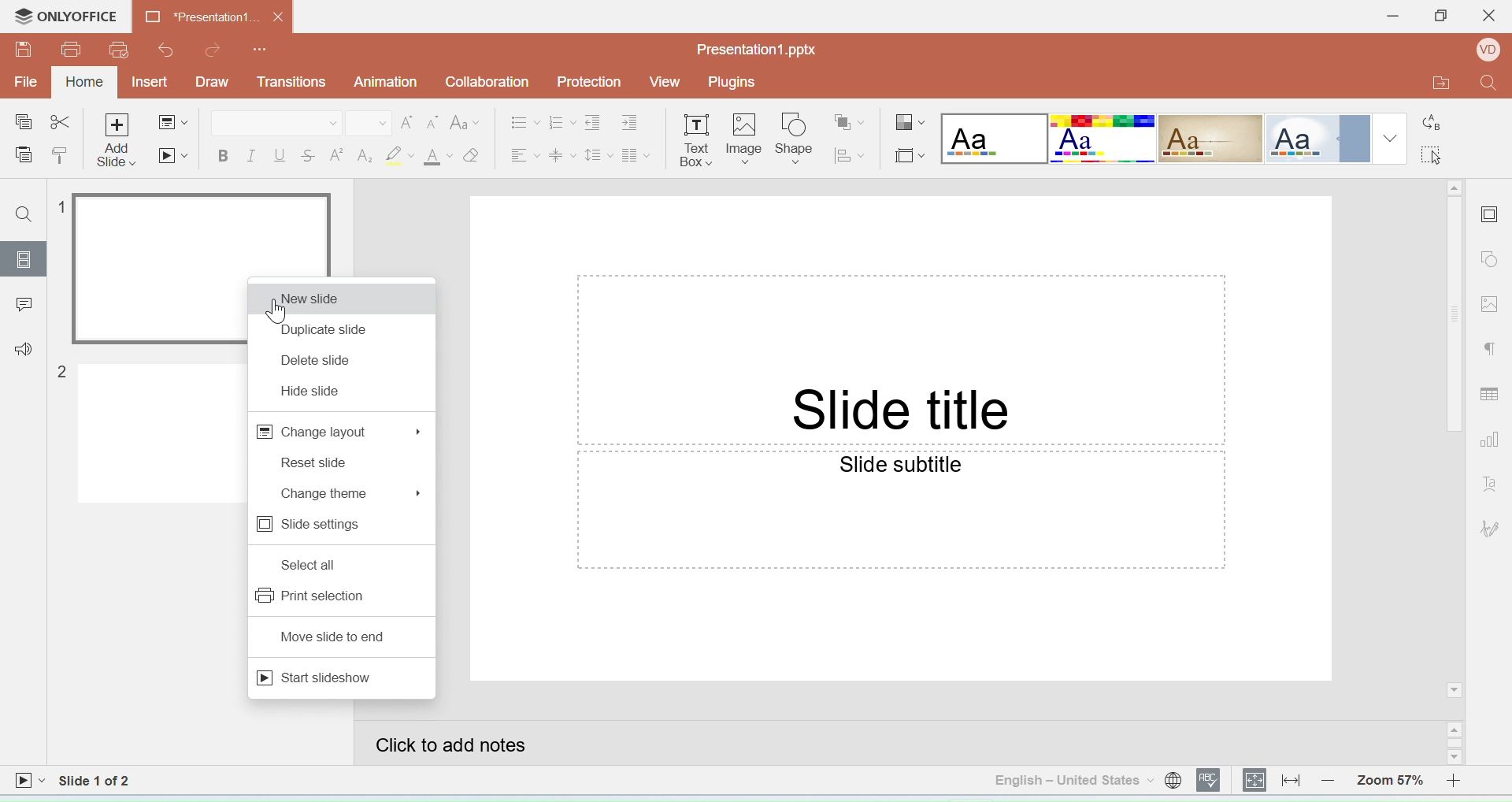 The image size is (1512, 802). I want to click on Plugins, so click(736, 82).